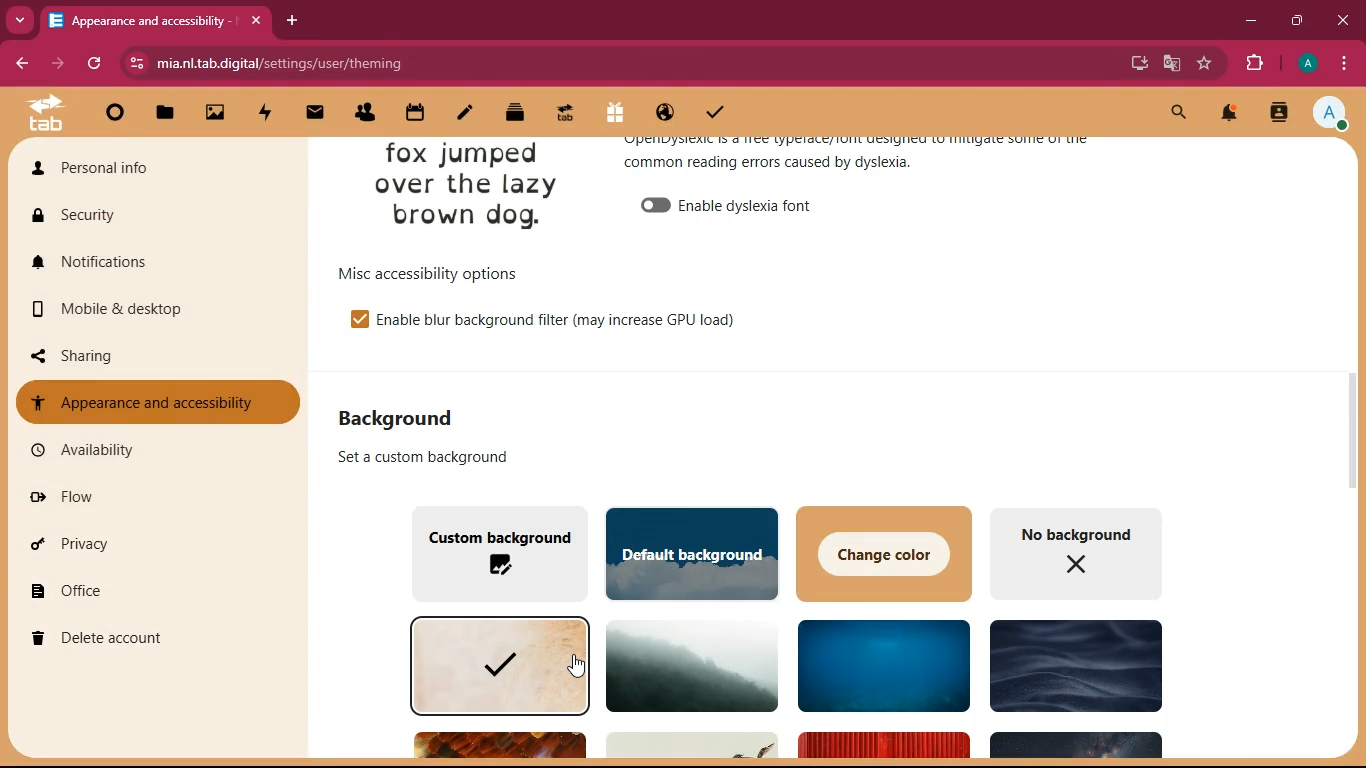 The image size is (1366, 768). What do you see at coordinates (317, 116) in the screenshot?
I see `mail` at bounding box center [317, 116].